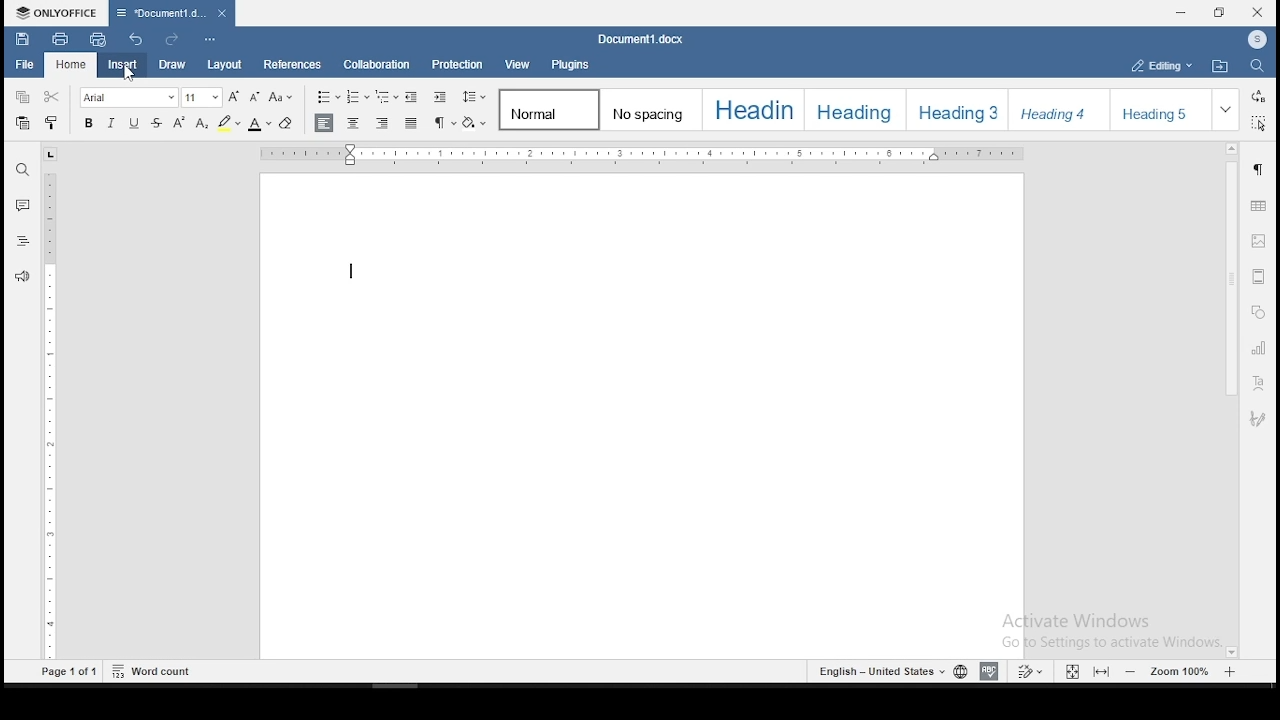  I want to click on ONLYOFFICE, so click(54, 12).